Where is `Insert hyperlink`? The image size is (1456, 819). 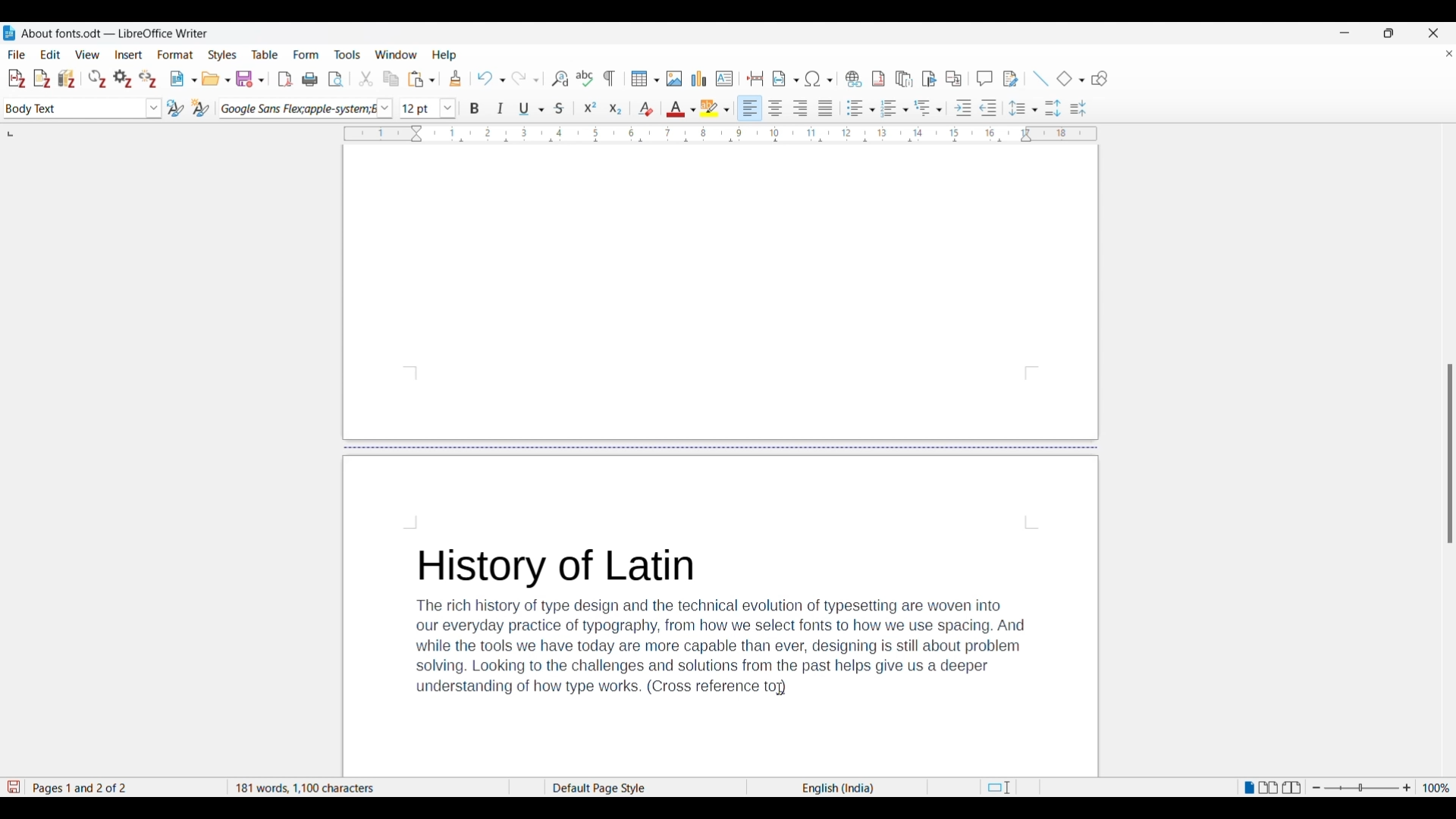 Insert hyperlink is located at coordinates (853, 79).